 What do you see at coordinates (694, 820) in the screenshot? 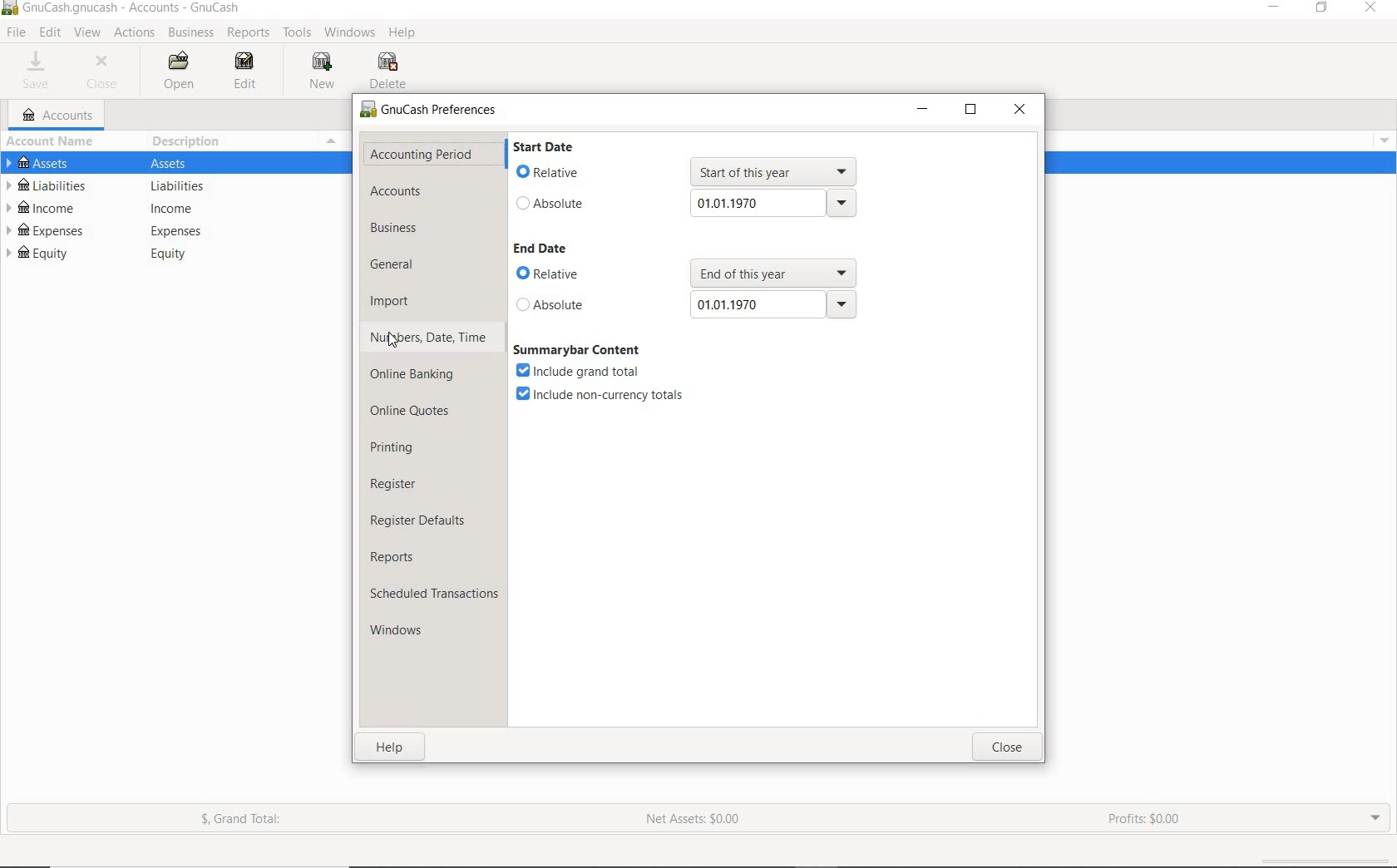
I see `NET ASSETS` at bounding box center [694, 820].